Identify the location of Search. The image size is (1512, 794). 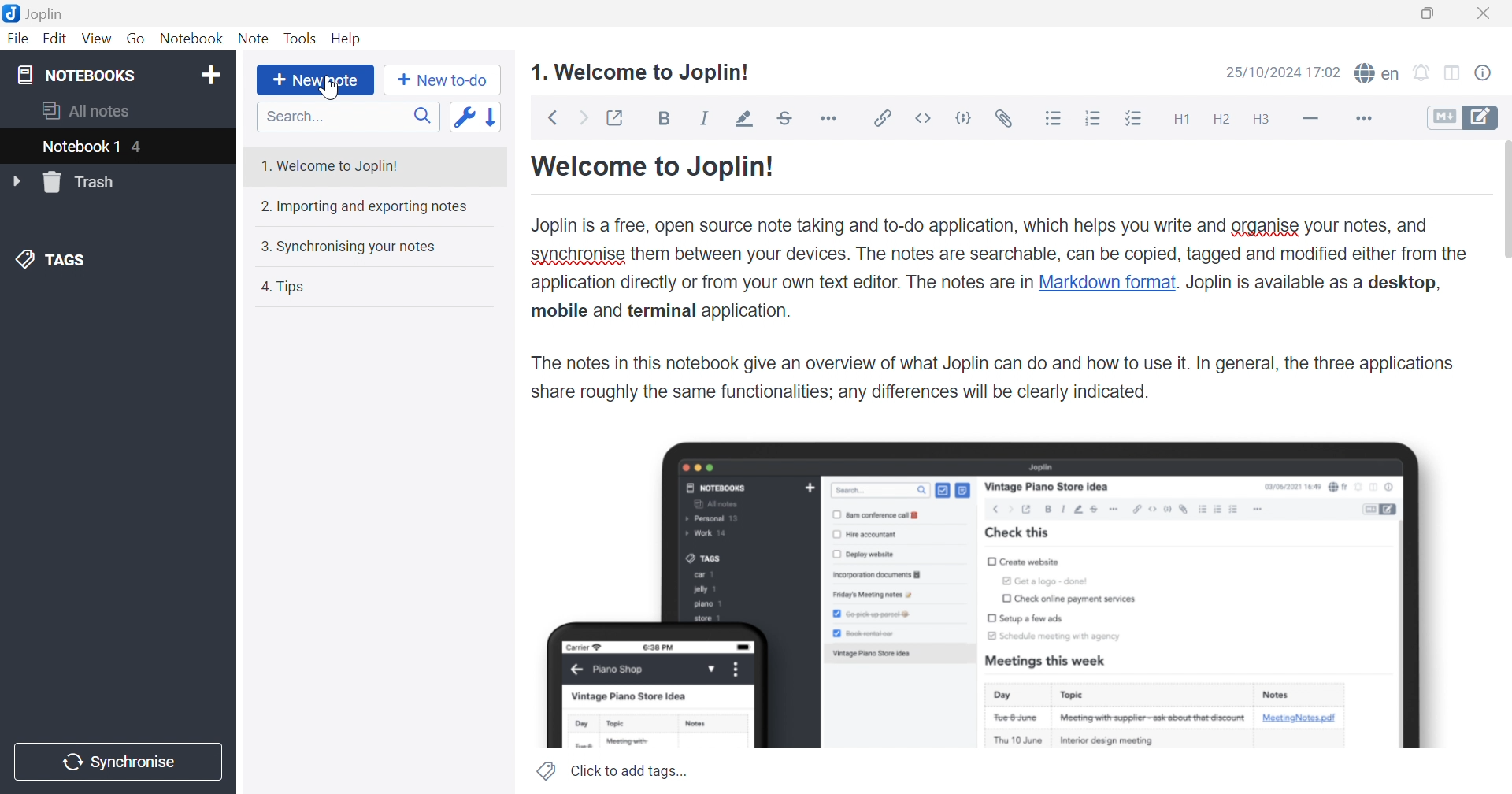
(348, 117).